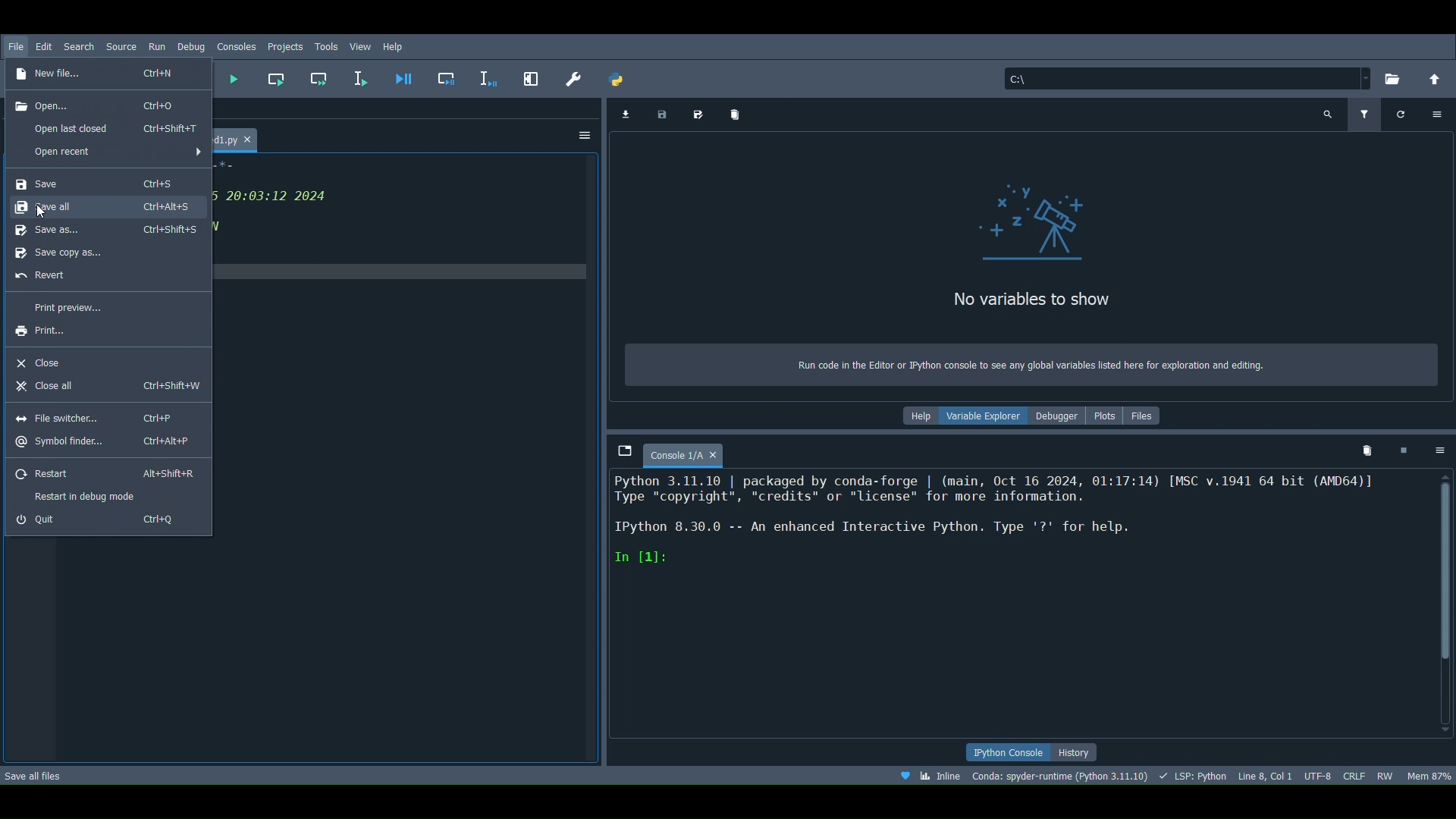  What do you see at coordinates (619, 76) in the screenshot?
I see `PYTHONPATH manager` at bounding box center [619, 76].